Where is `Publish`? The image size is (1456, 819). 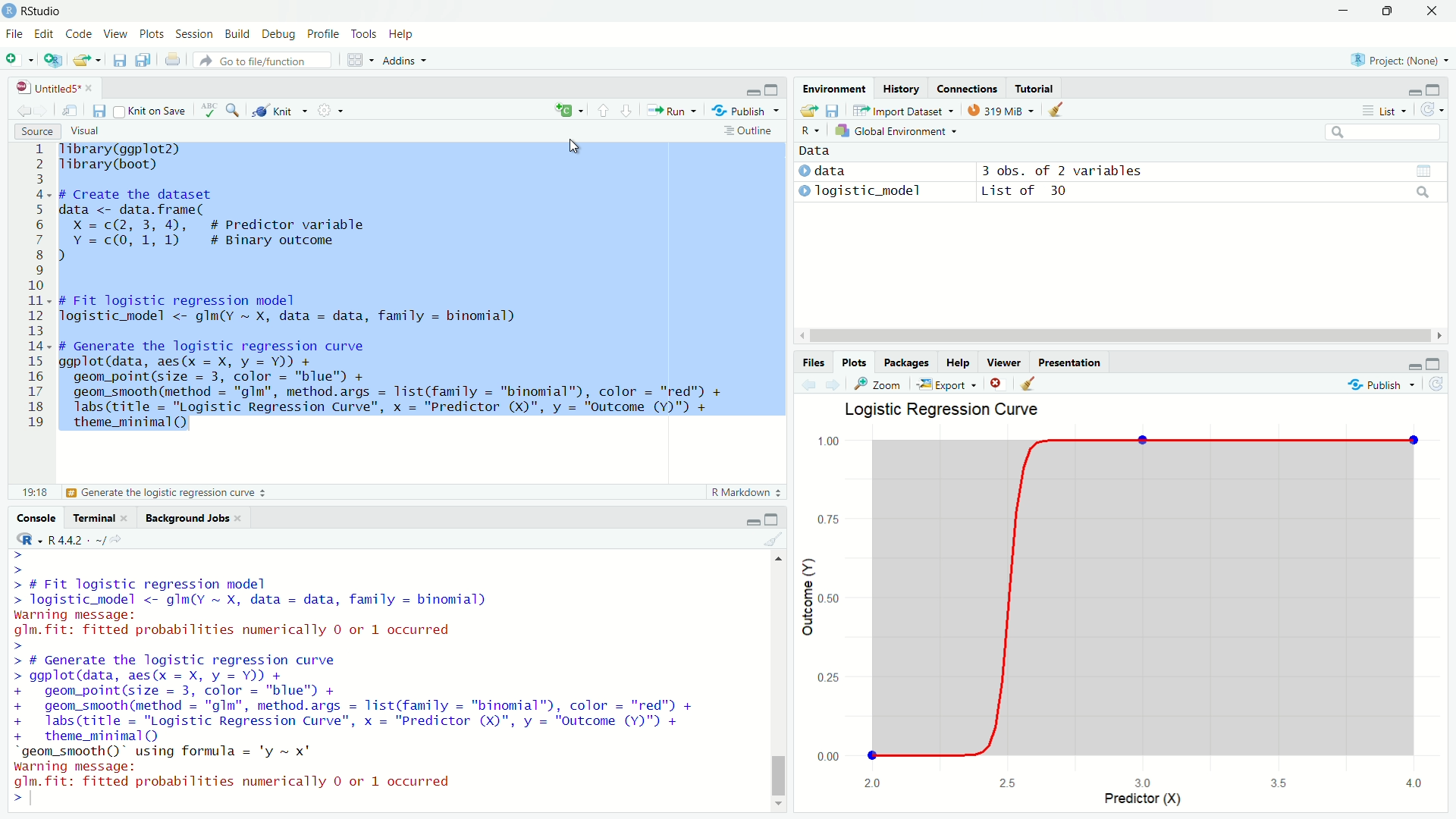 Publish is located at coordinates (745, 110).